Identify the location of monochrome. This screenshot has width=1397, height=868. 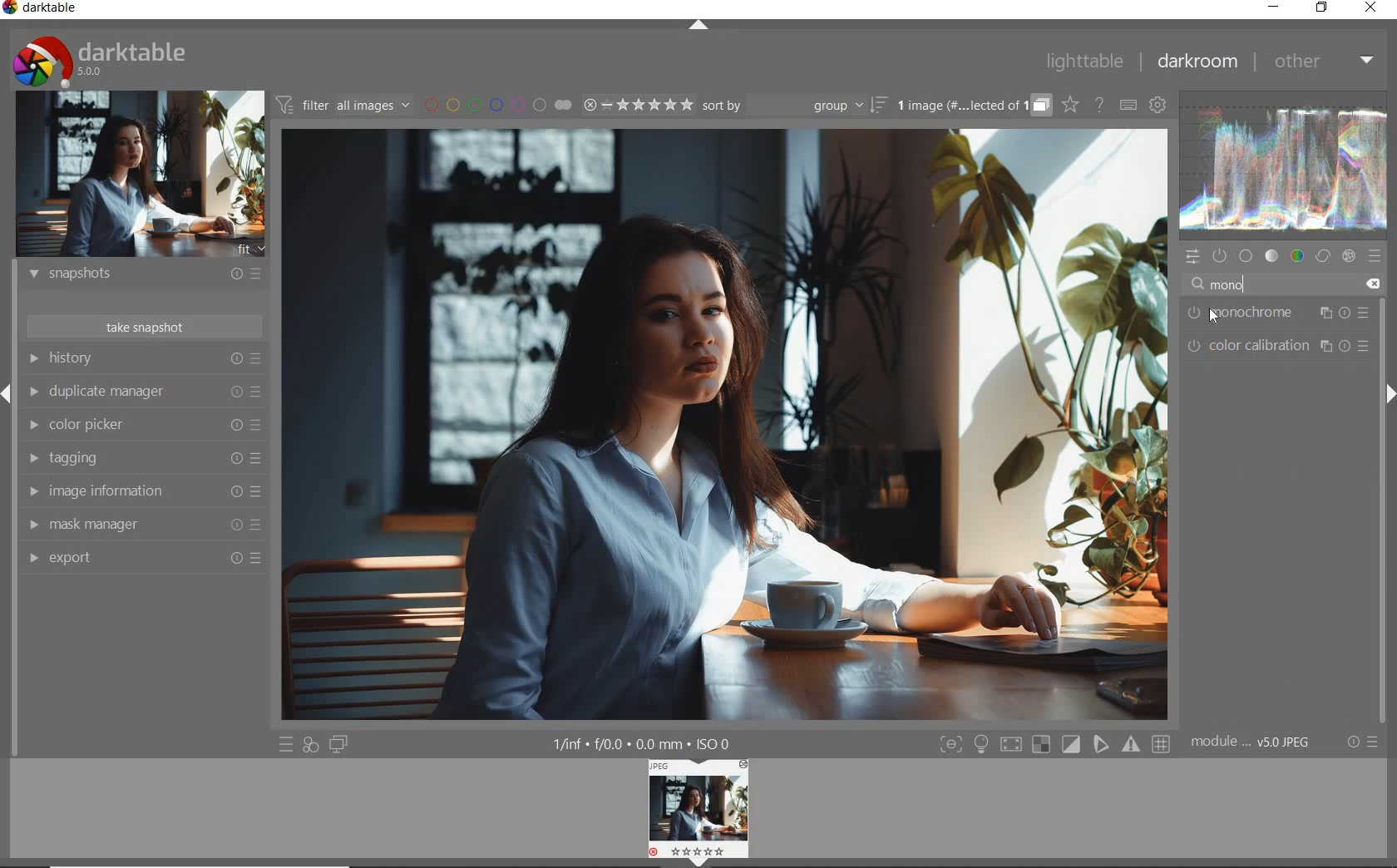
(1276, 313).